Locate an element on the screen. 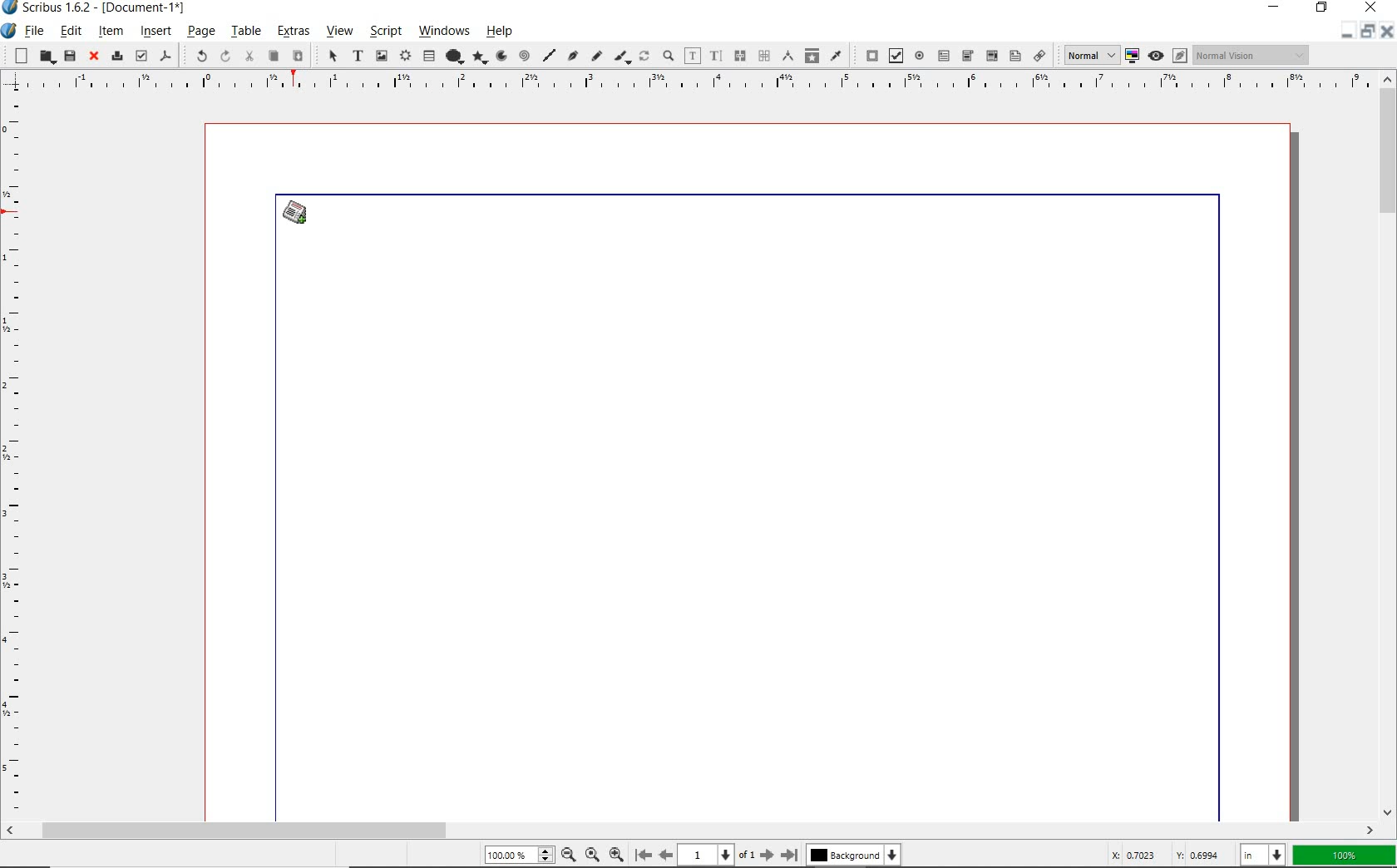 Image resolution: width=1397 pixels, height=868 pixels. image frame is located at coordinates (380, 57).